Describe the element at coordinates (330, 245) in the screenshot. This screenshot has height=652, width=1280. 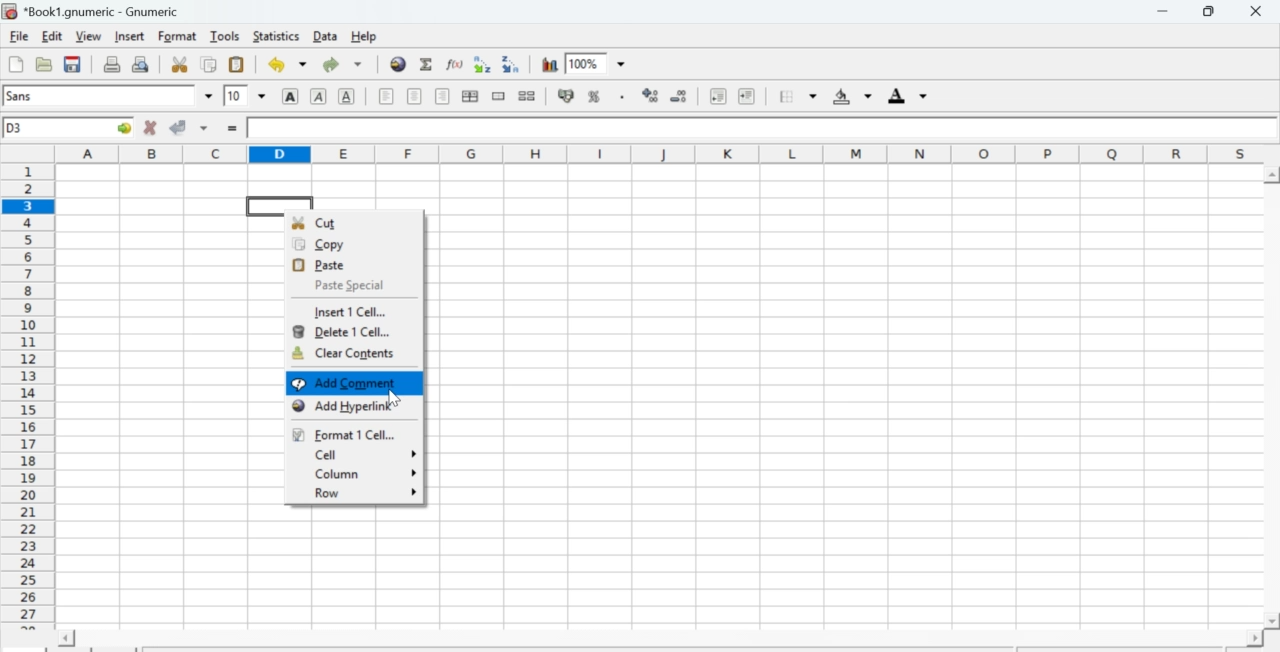
I see `Copy` at that location.